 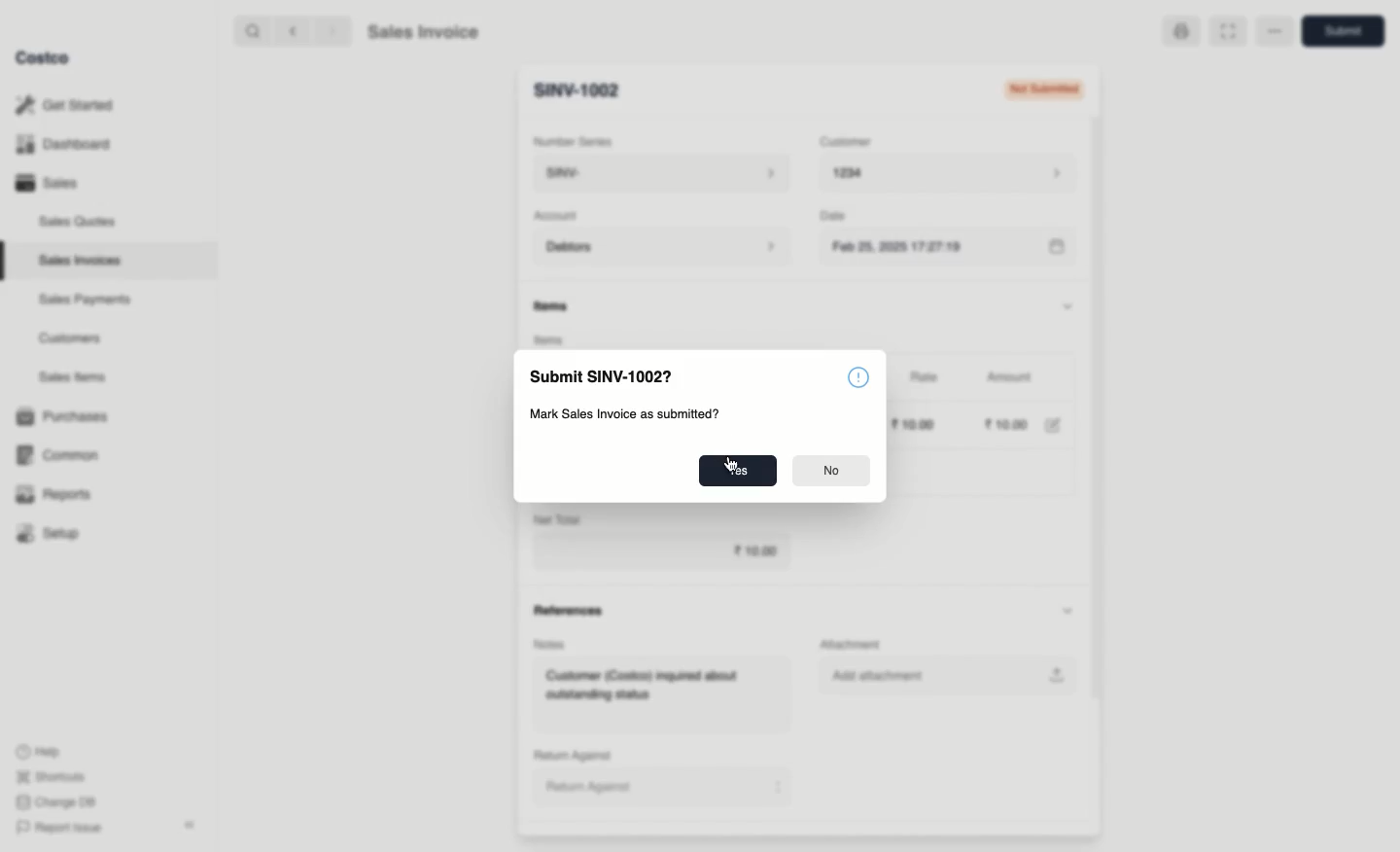 What do you see at coordinates (78, 262) in the screenshot?
I see `Sales Invoices.` at bounding box center [78, 262].